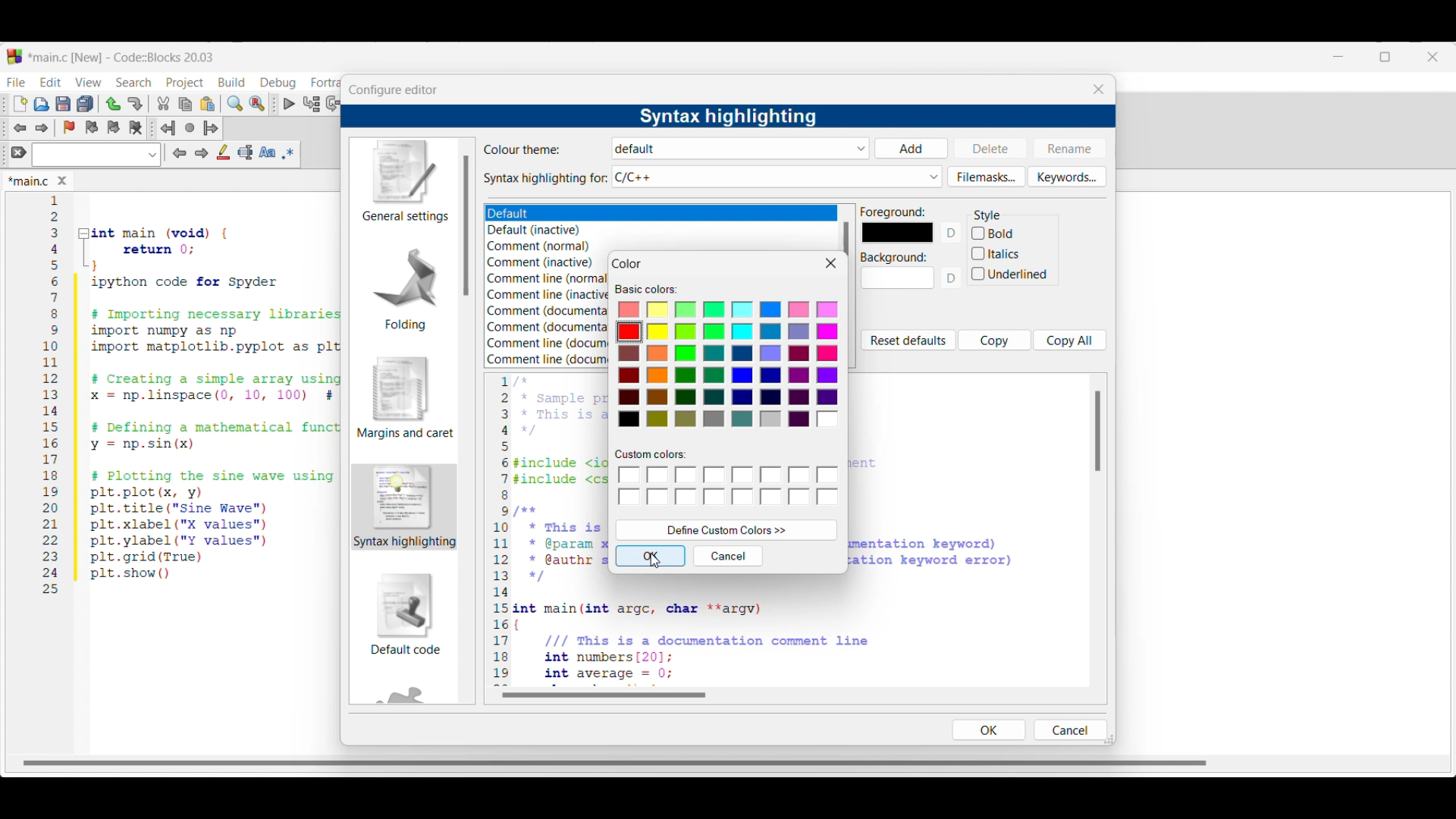  I want to click on Copy all, so click(1070, 340).